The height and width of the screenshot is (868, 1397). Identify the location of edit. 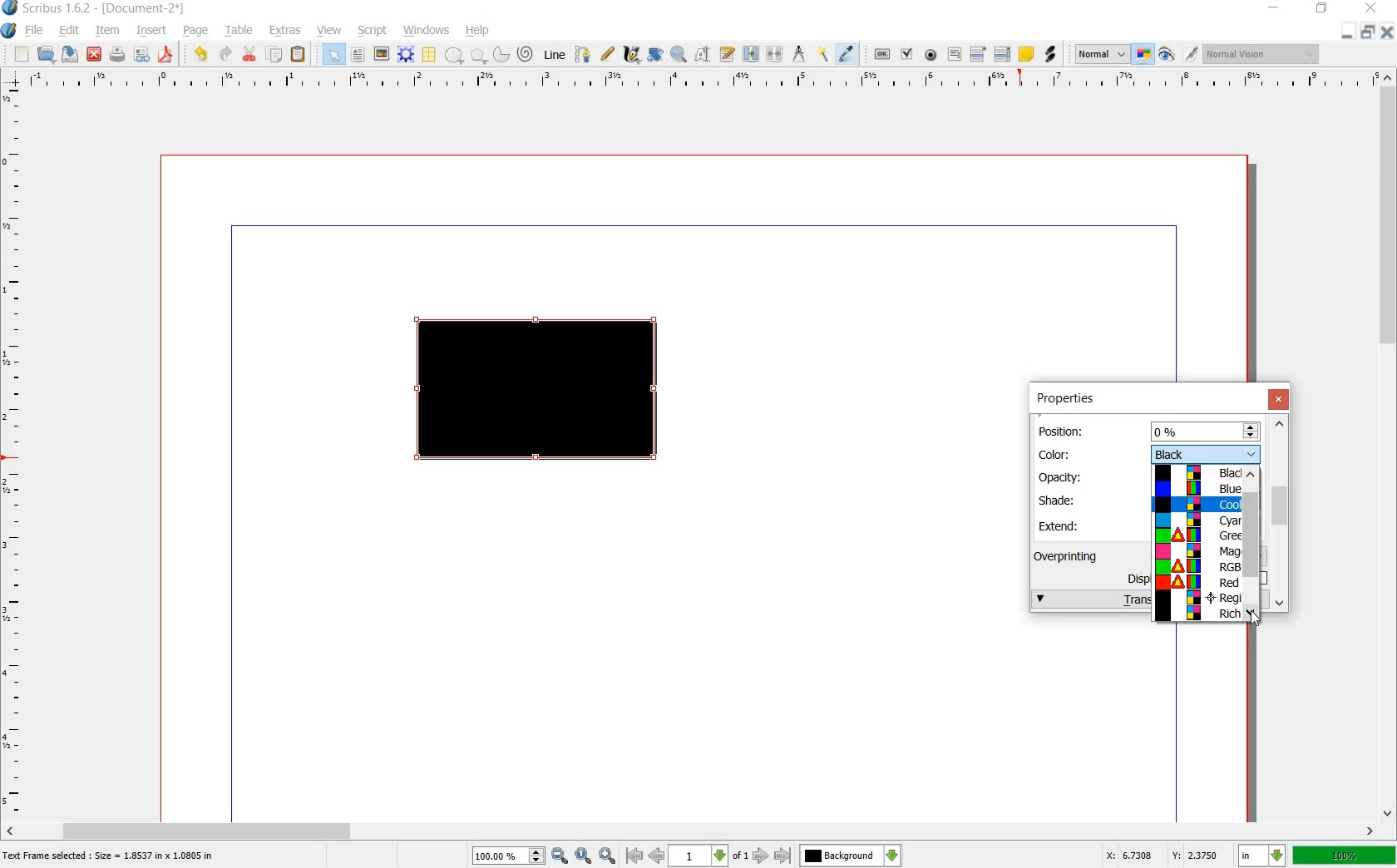
(70, 31).